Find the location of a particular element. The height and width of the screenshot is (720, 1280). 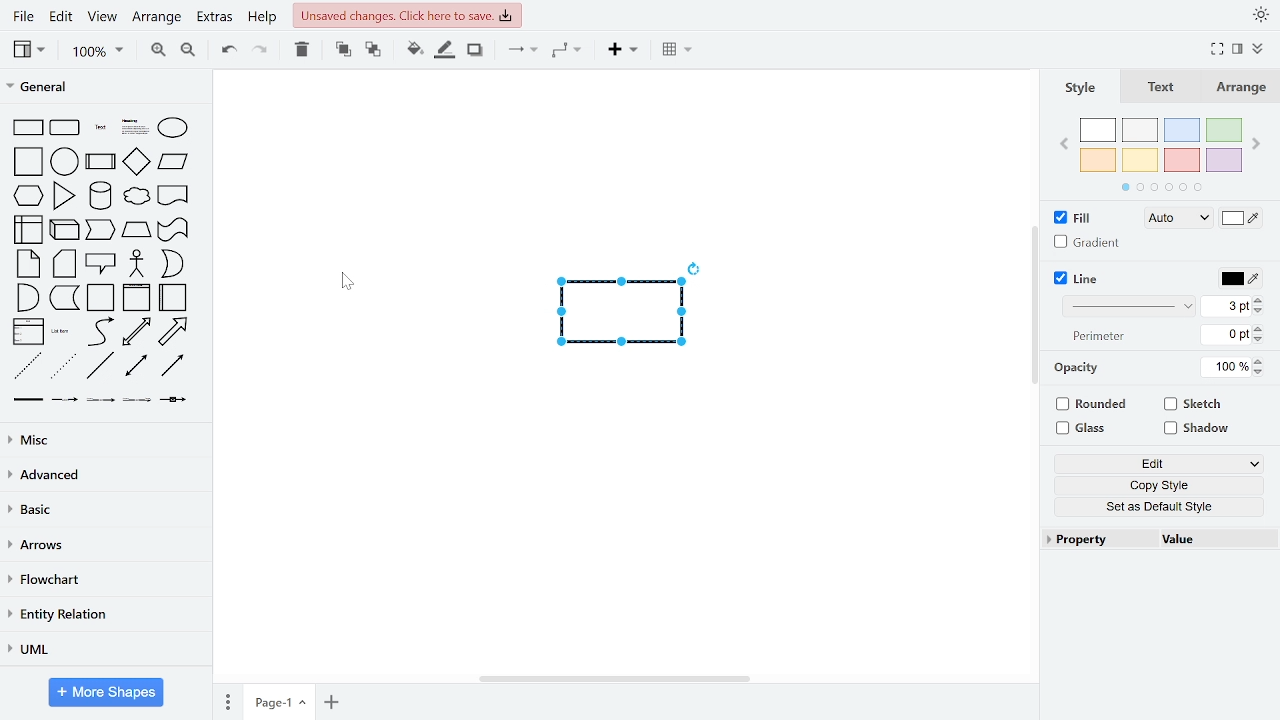

general shapes is located at coordinates (173, 400).